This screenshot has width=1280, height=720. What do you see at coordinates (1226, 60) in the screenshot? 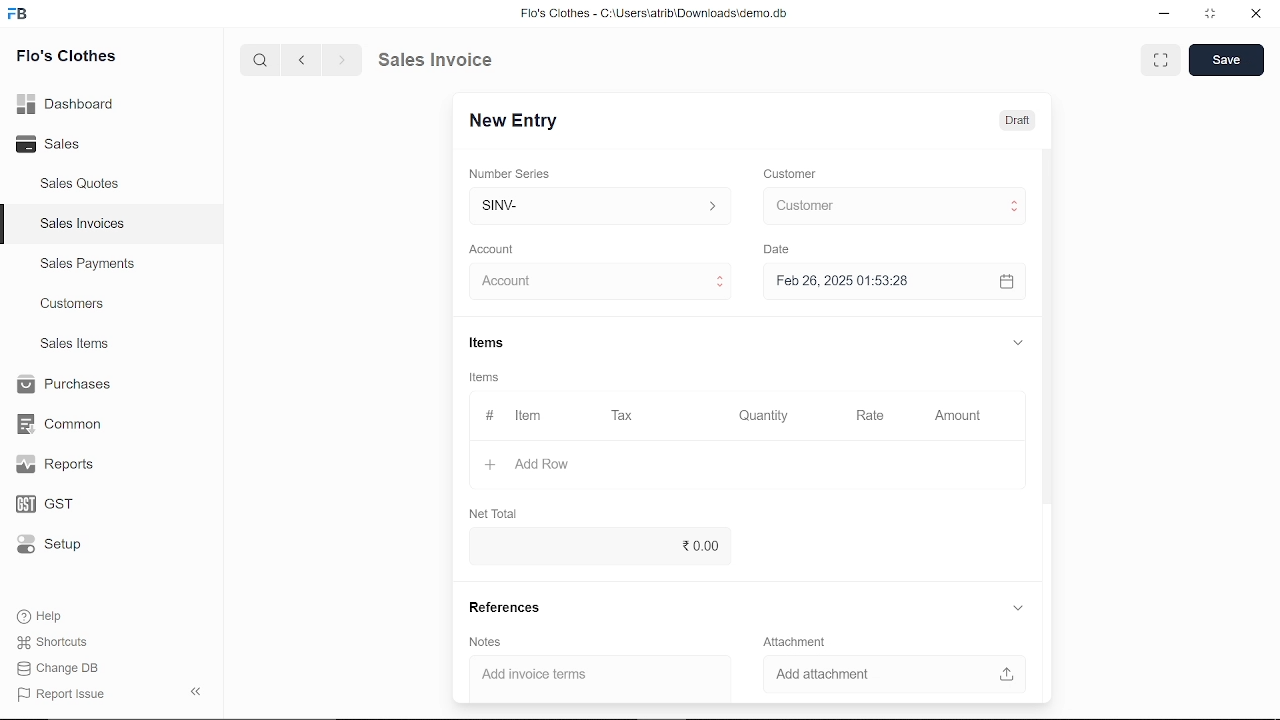
I see `save` at bounding box center [1226, 60].